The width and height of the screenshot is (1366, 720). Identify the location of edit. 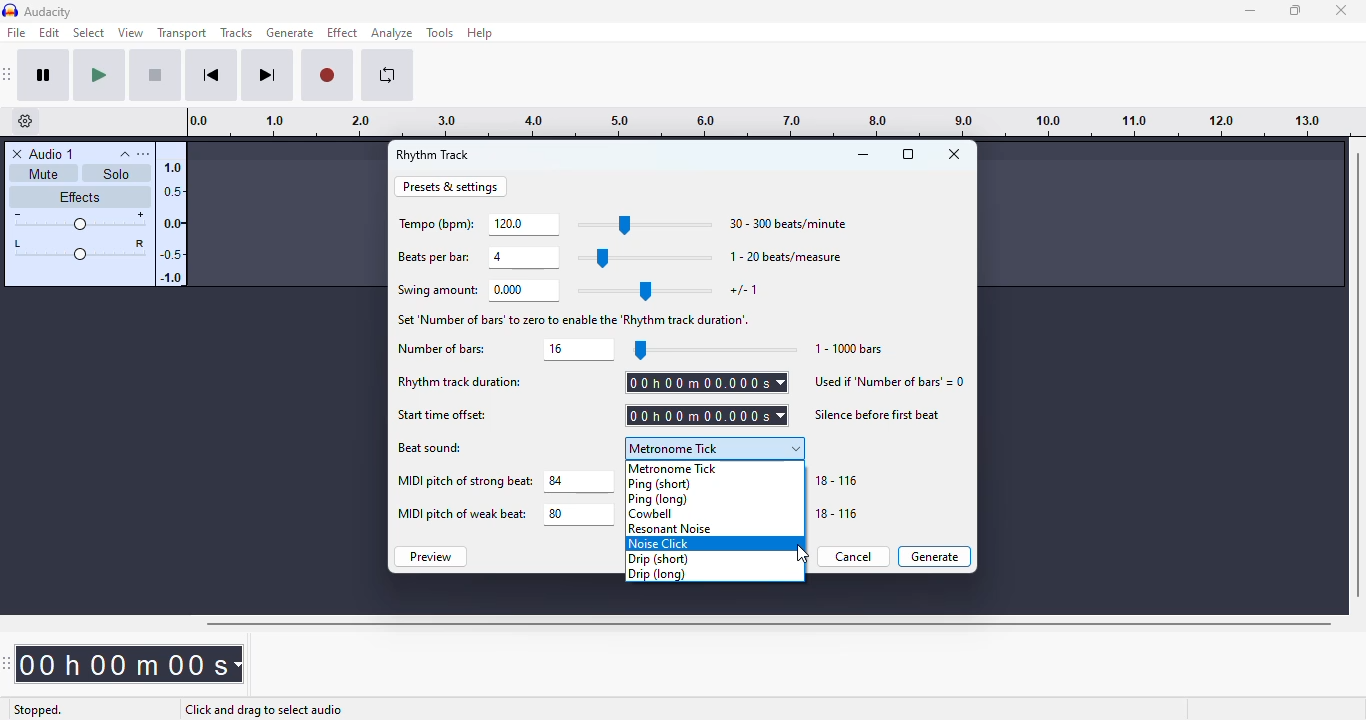
(50, 32).